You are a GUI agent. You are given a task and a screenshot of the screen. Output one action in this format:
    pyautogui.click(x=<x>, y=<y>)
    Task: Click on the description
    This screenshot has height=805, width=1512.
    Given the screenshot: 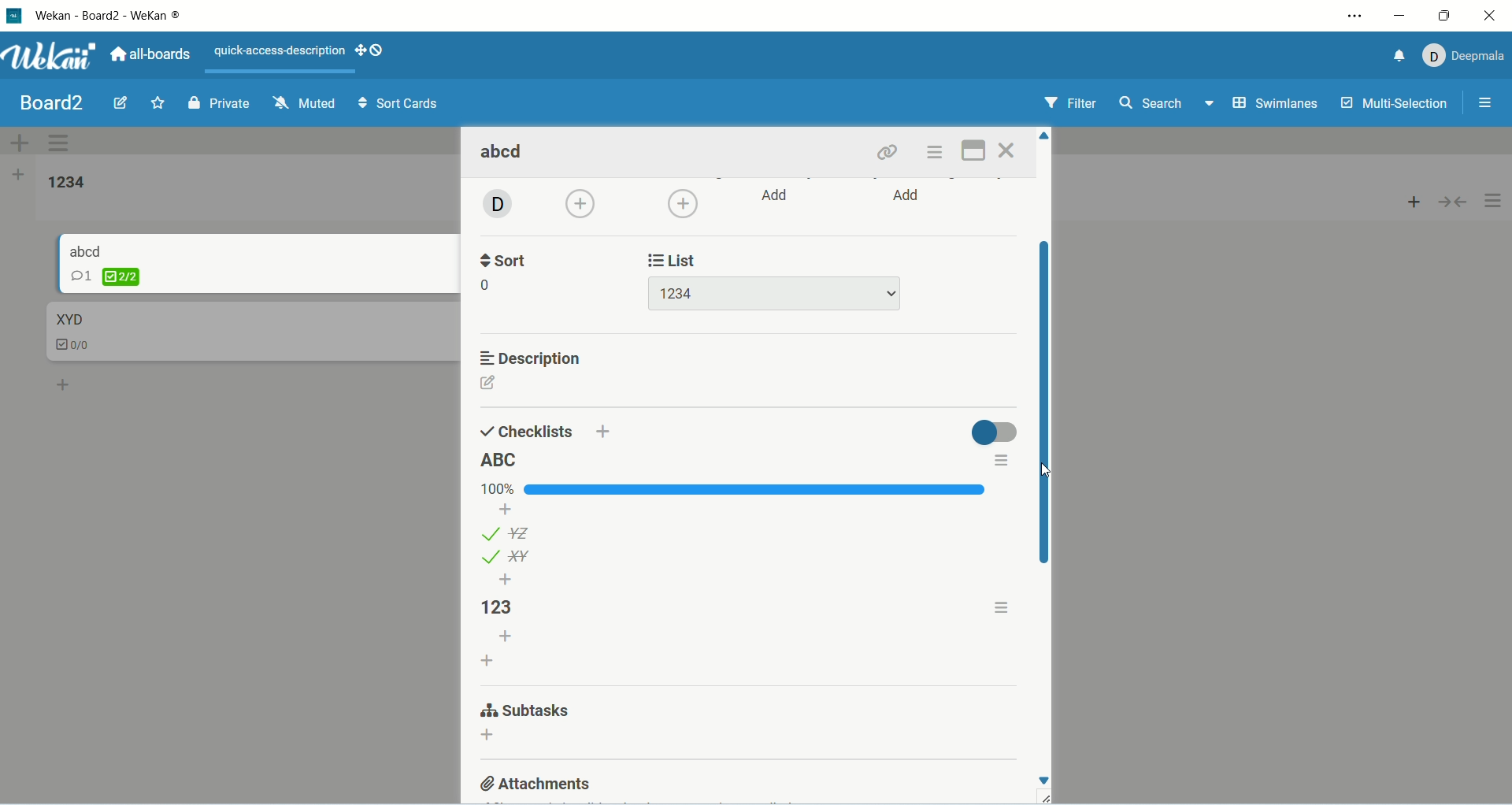 What is the action you would take?
    pyautogui.click(x=533, y=358)
    